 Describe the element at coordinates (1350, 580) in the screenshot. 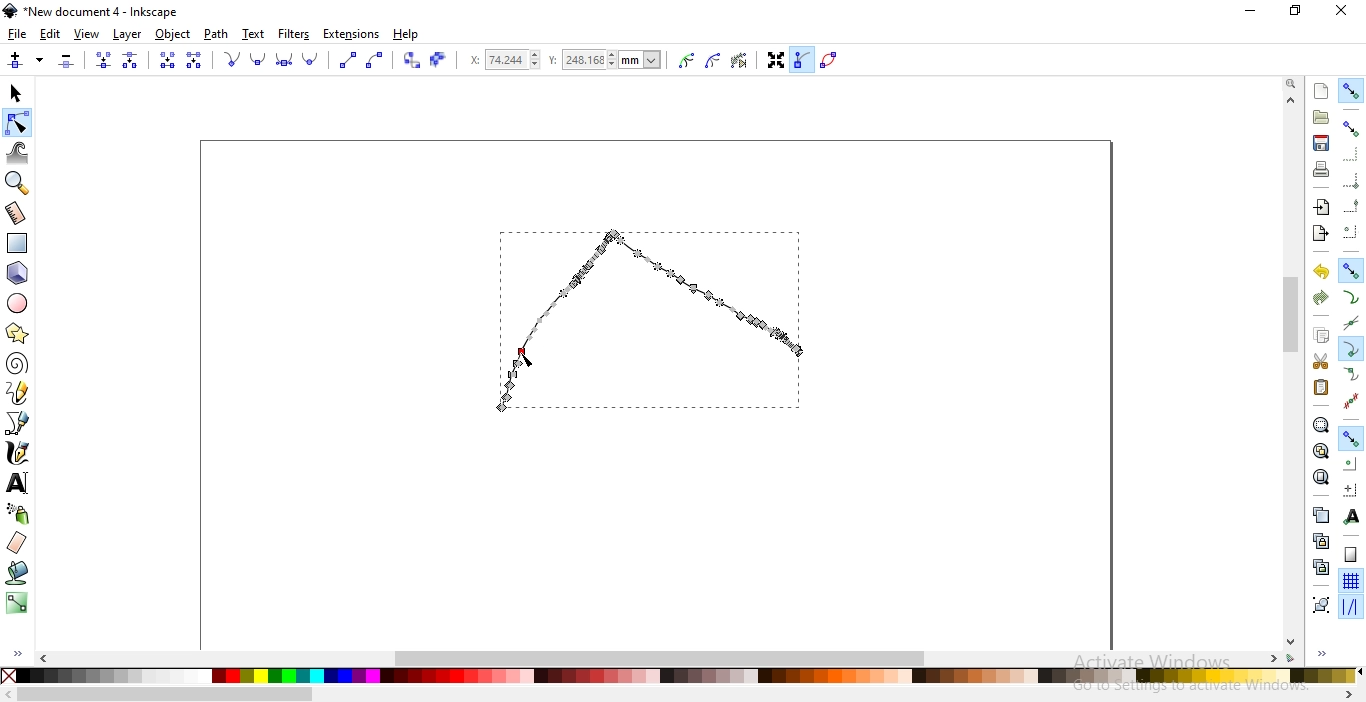

I see `snap to grids` at that location.